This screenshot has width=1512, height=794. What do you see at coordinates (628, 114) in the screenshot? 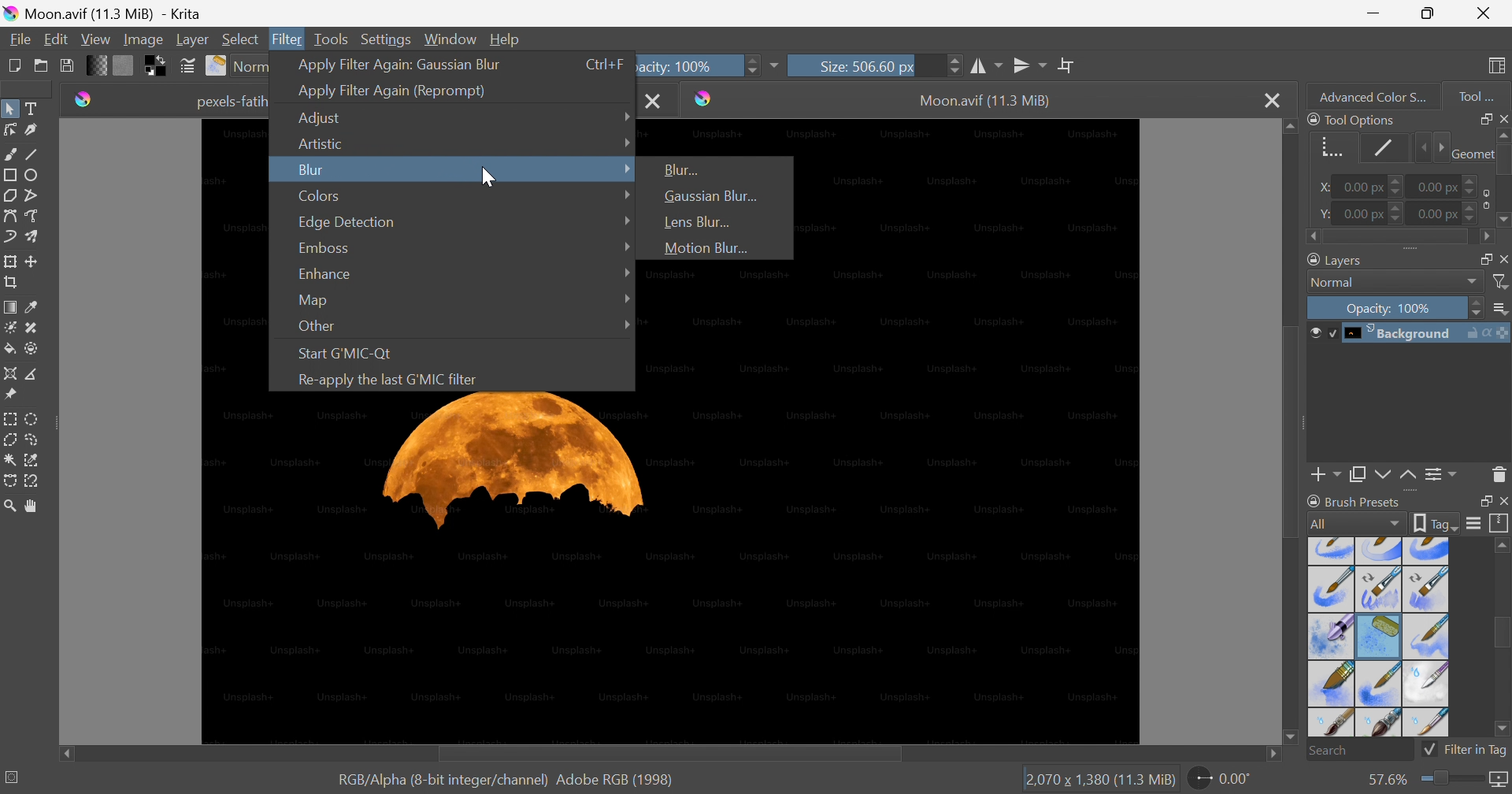
I see `Drop Down` at bounding box center [628, 114].